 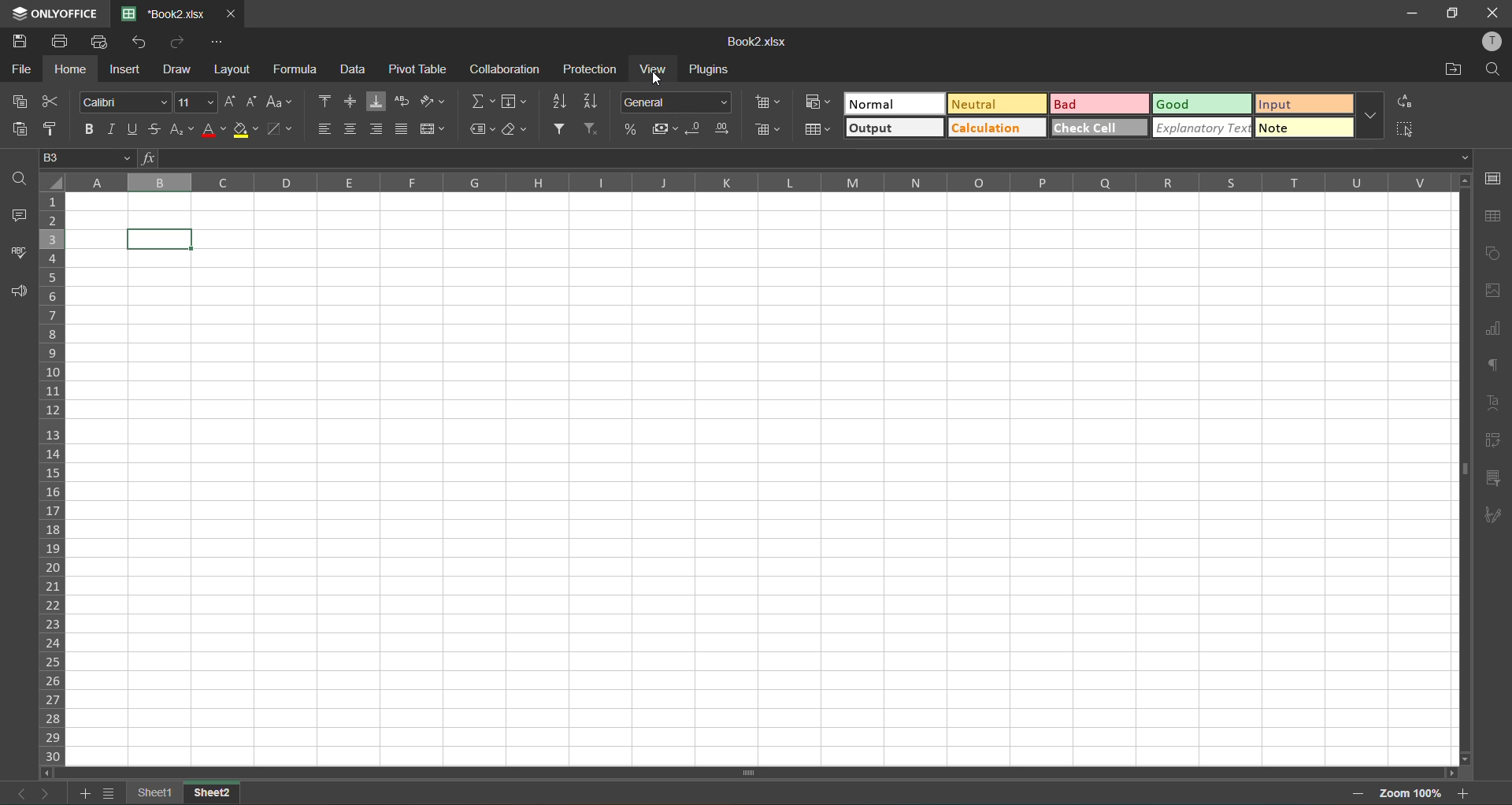 What do you see at coordinates (86, 796) in the screenshot?
I see `add list` at bounding box center [86, 796].